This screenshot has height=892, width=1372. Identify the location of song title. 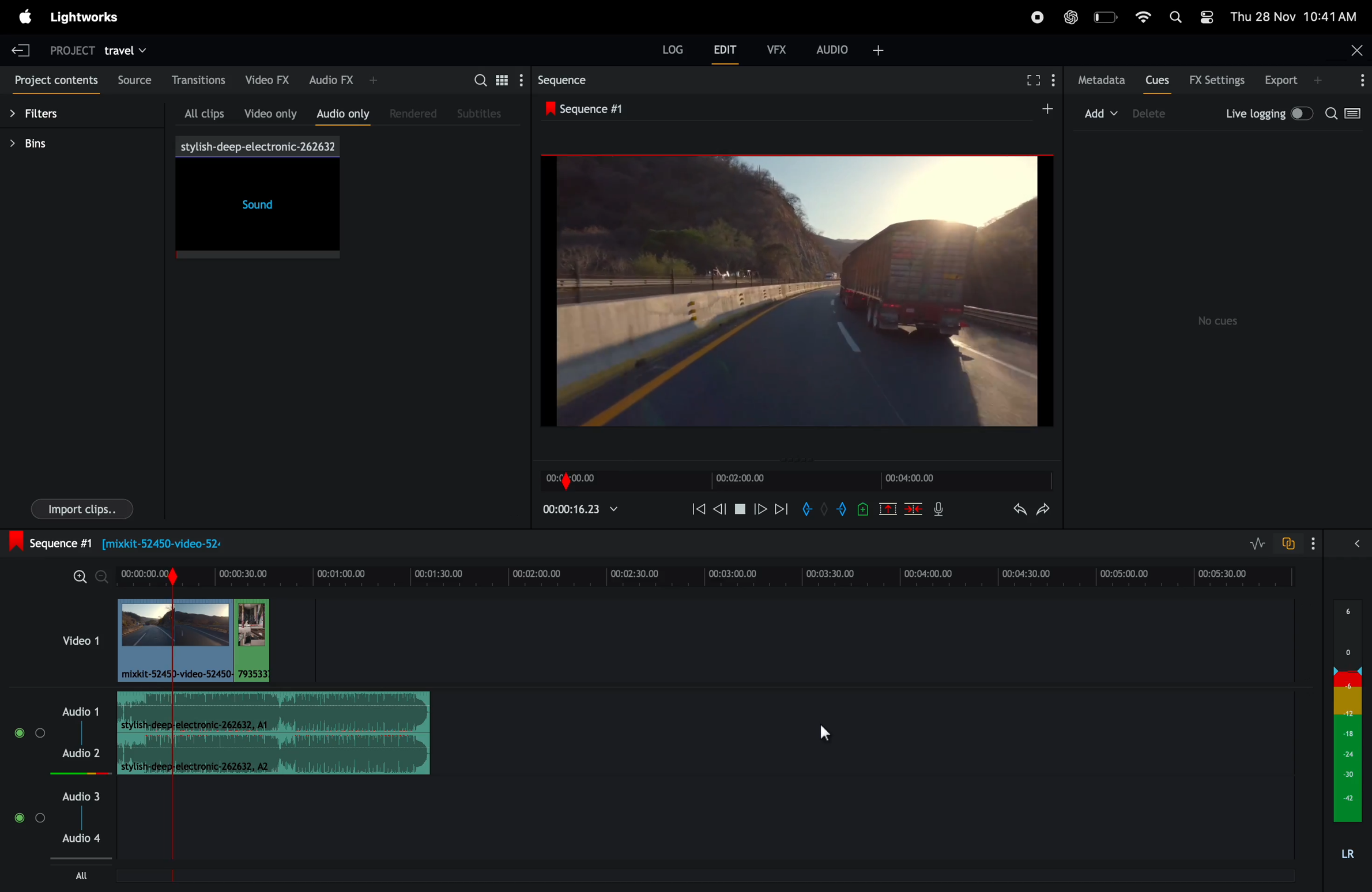
(257, 146).